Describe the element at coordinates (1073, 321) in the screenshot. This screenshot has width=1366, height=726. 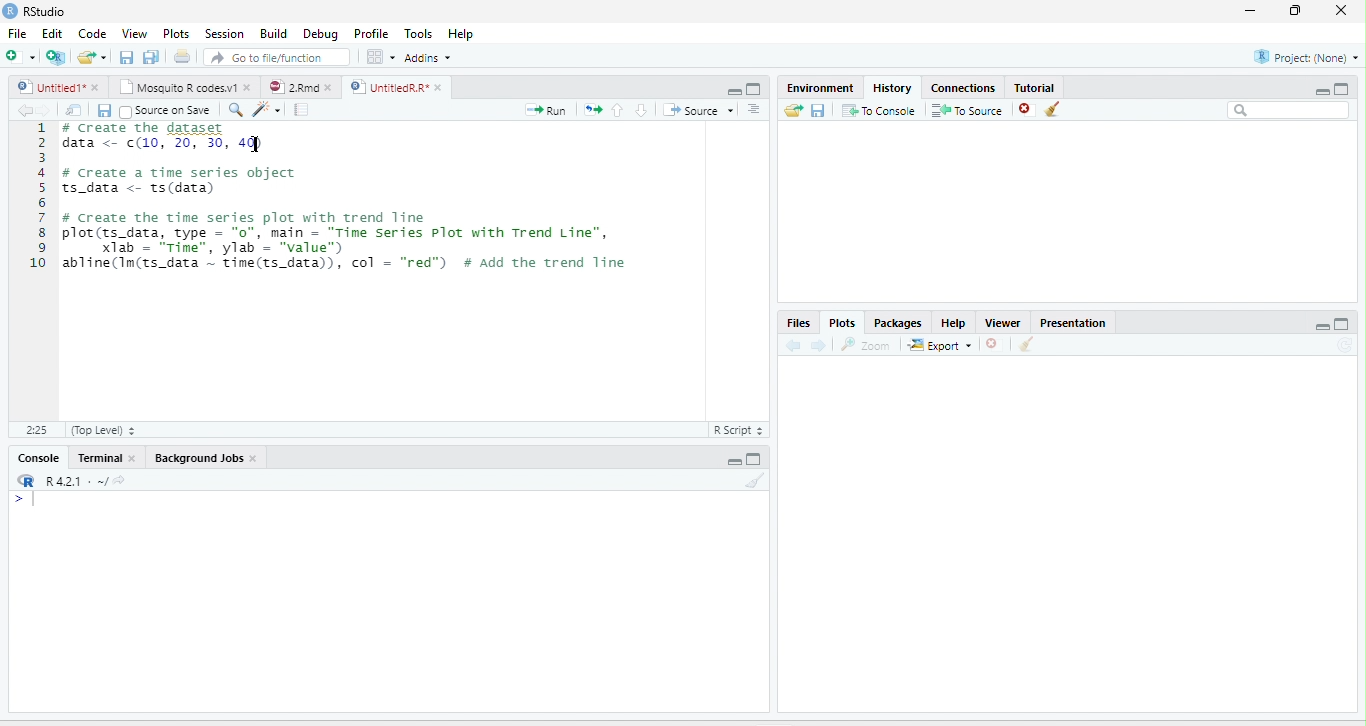
I see `Presentation` at that location.